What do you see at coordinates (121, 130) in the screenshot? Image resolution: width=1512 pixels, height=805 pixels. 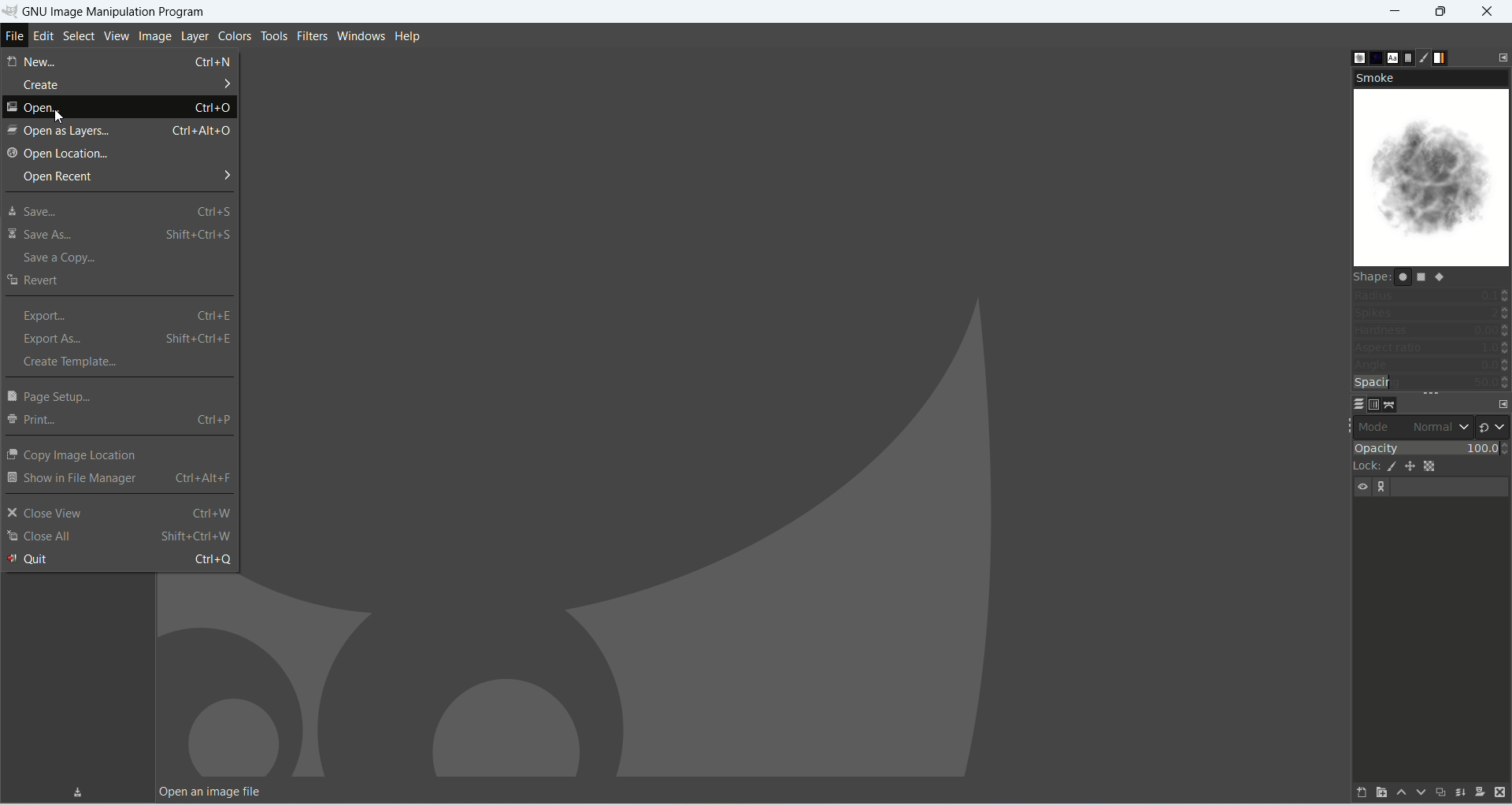 I see `open as layer` at bounding box center [121, 130].